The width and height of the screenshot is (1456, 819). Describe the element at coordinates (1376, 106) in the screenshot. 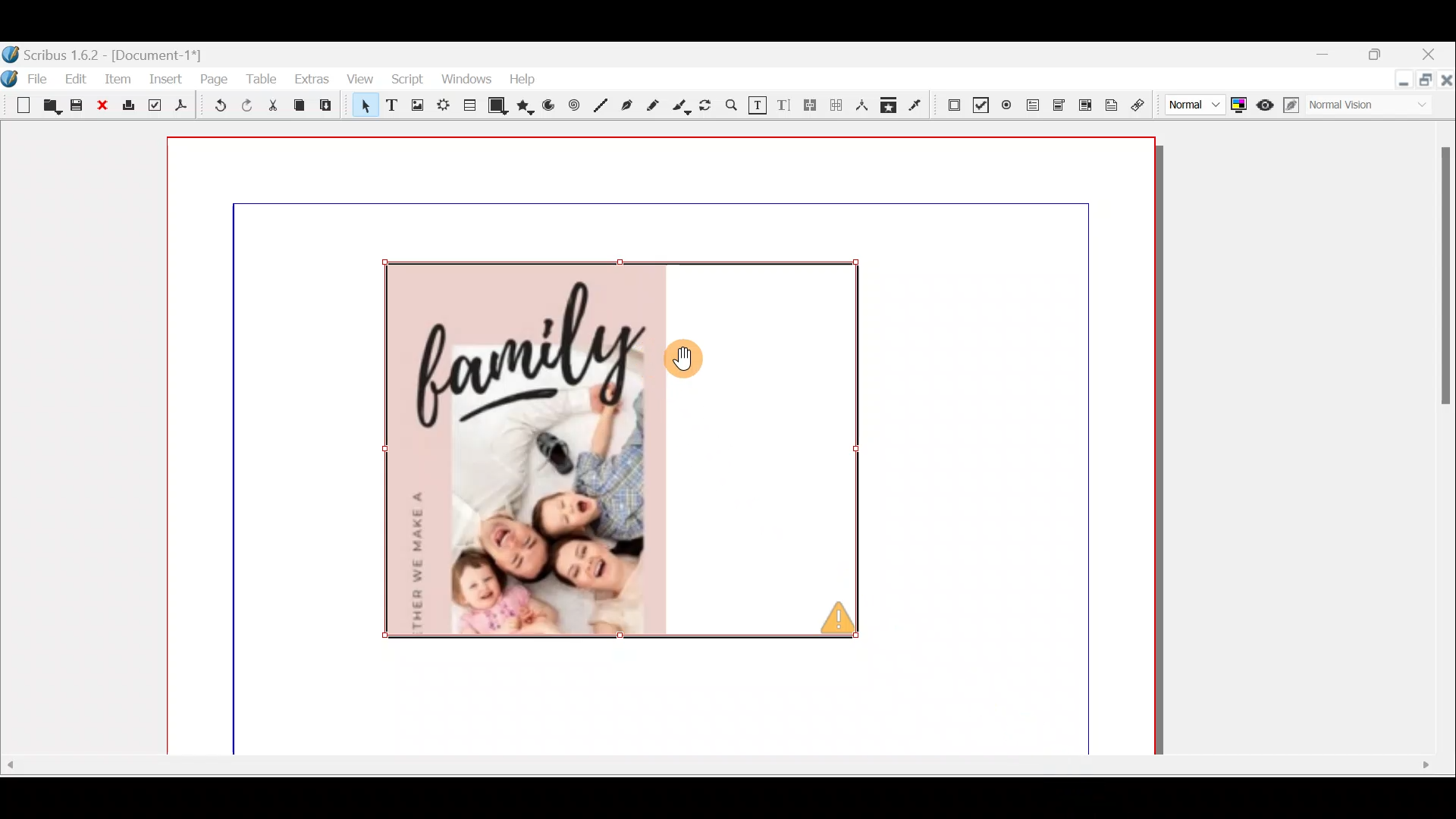

I see `Visual appearance of display` at that location.